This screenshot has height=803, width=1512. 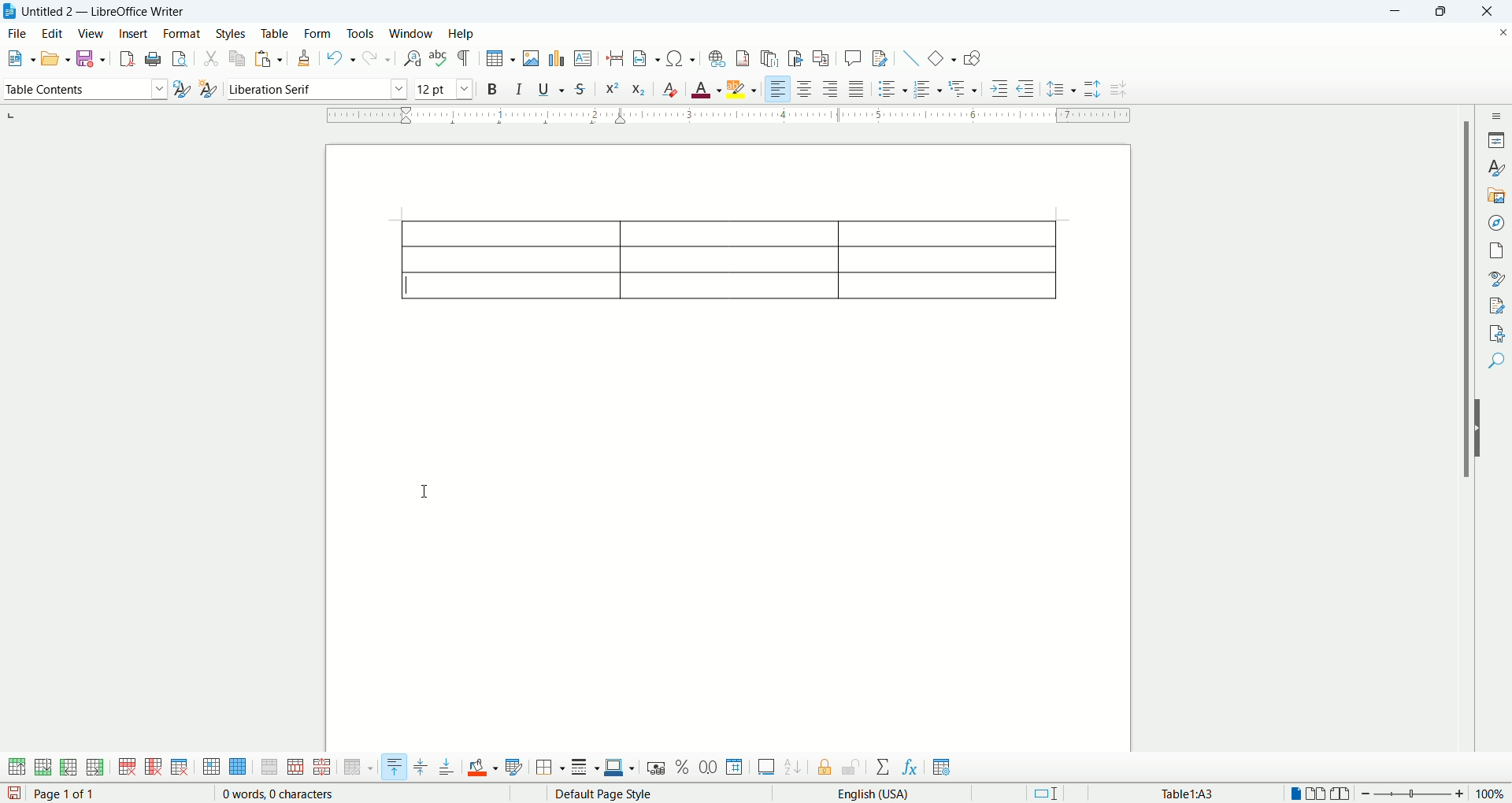 What do you see at coordinates (512, 769) in the screenshot?
I see `autoformat styles` at bounding box center [512, 769].